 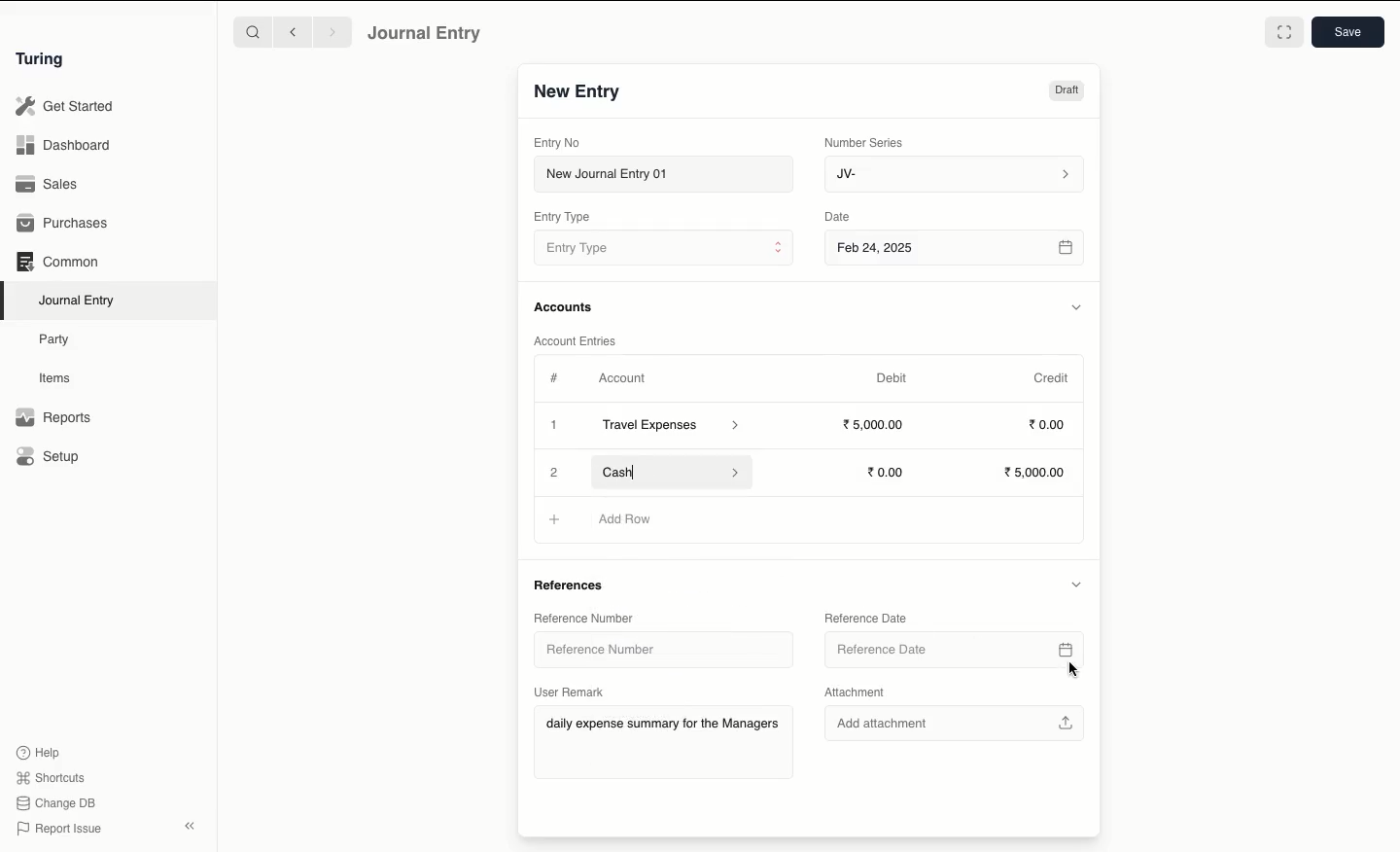 What do you see at coordinates (867, 143) in the screenshot?
I see `Number Series` at bounding box center [867, 143].